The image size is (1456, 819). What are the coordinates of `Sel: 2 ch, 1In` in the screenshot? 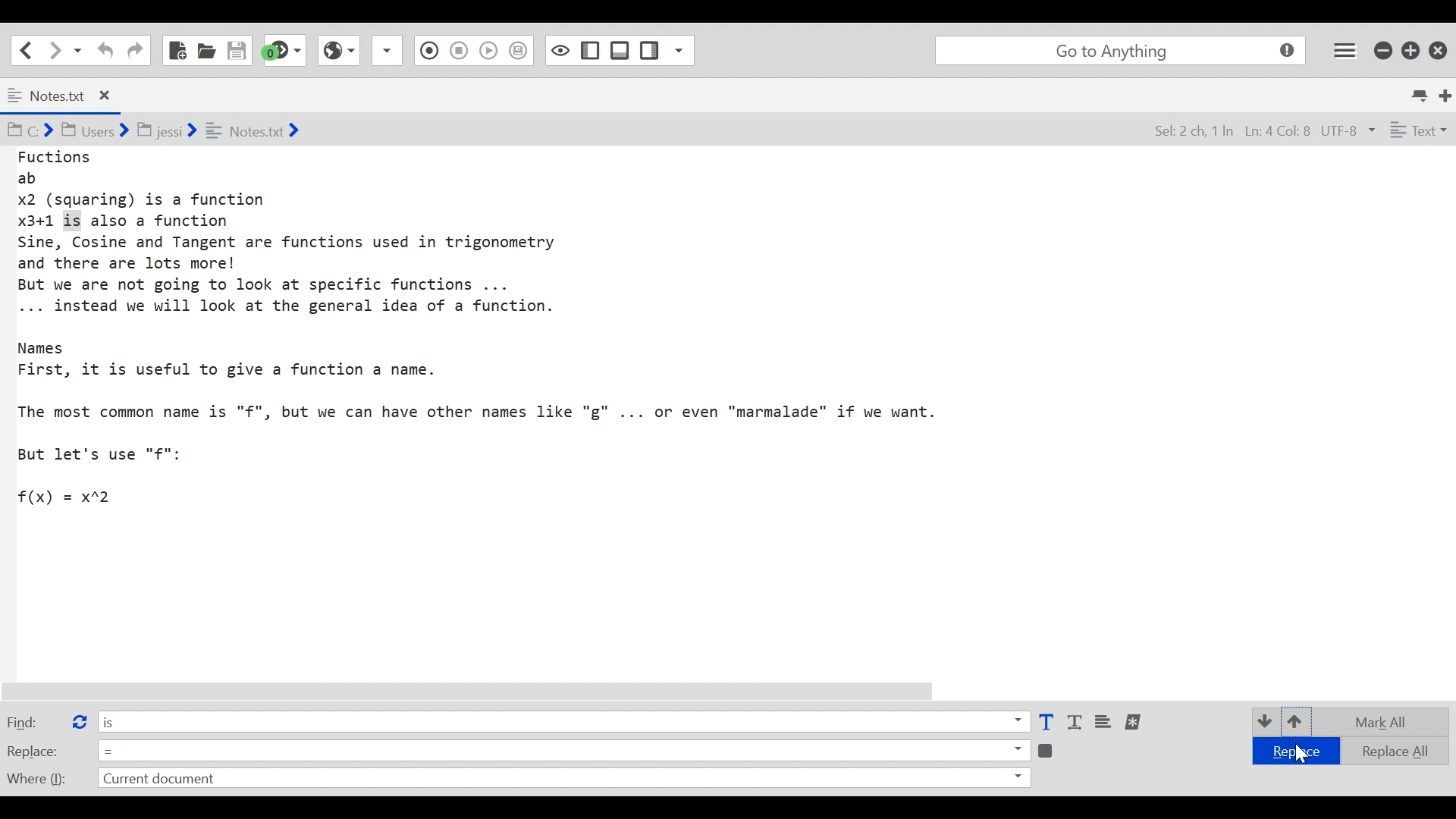 It's located at (1191, 132).